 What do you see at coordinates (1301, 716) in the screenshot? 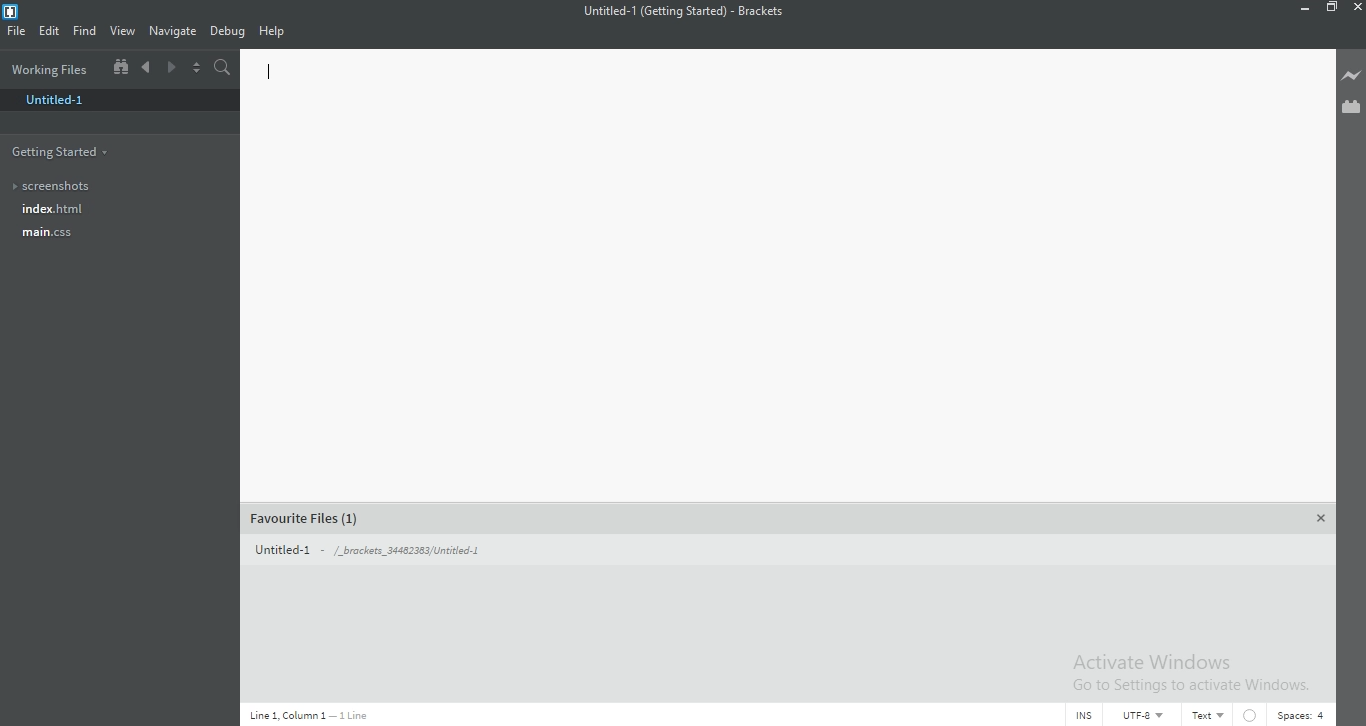
I see `Spaces:4` at bounding box center [1301, 716].